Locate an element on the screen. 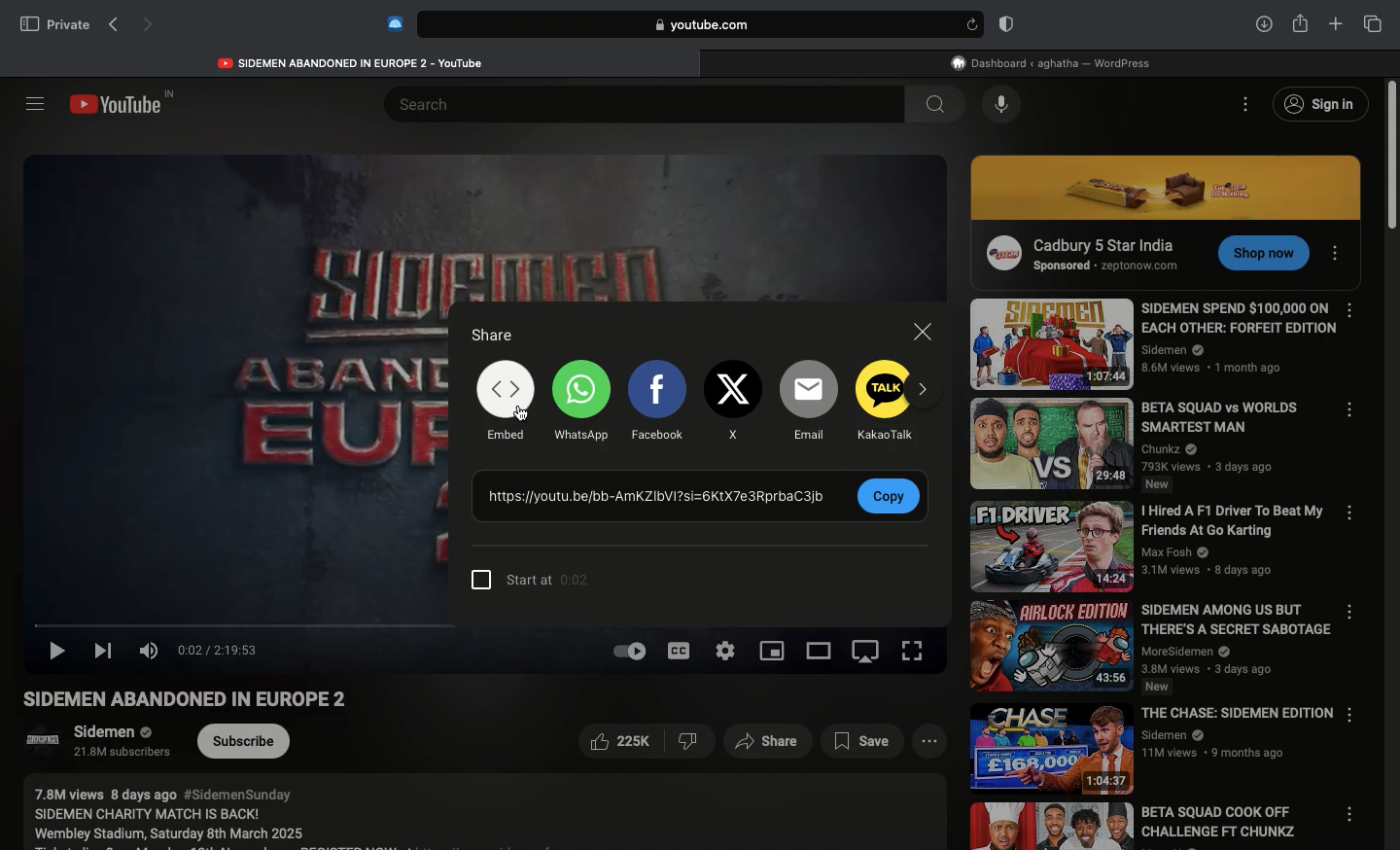 The width and height of the screenshot is (1400, 850). CTA is located at coordinates (1257, 256).